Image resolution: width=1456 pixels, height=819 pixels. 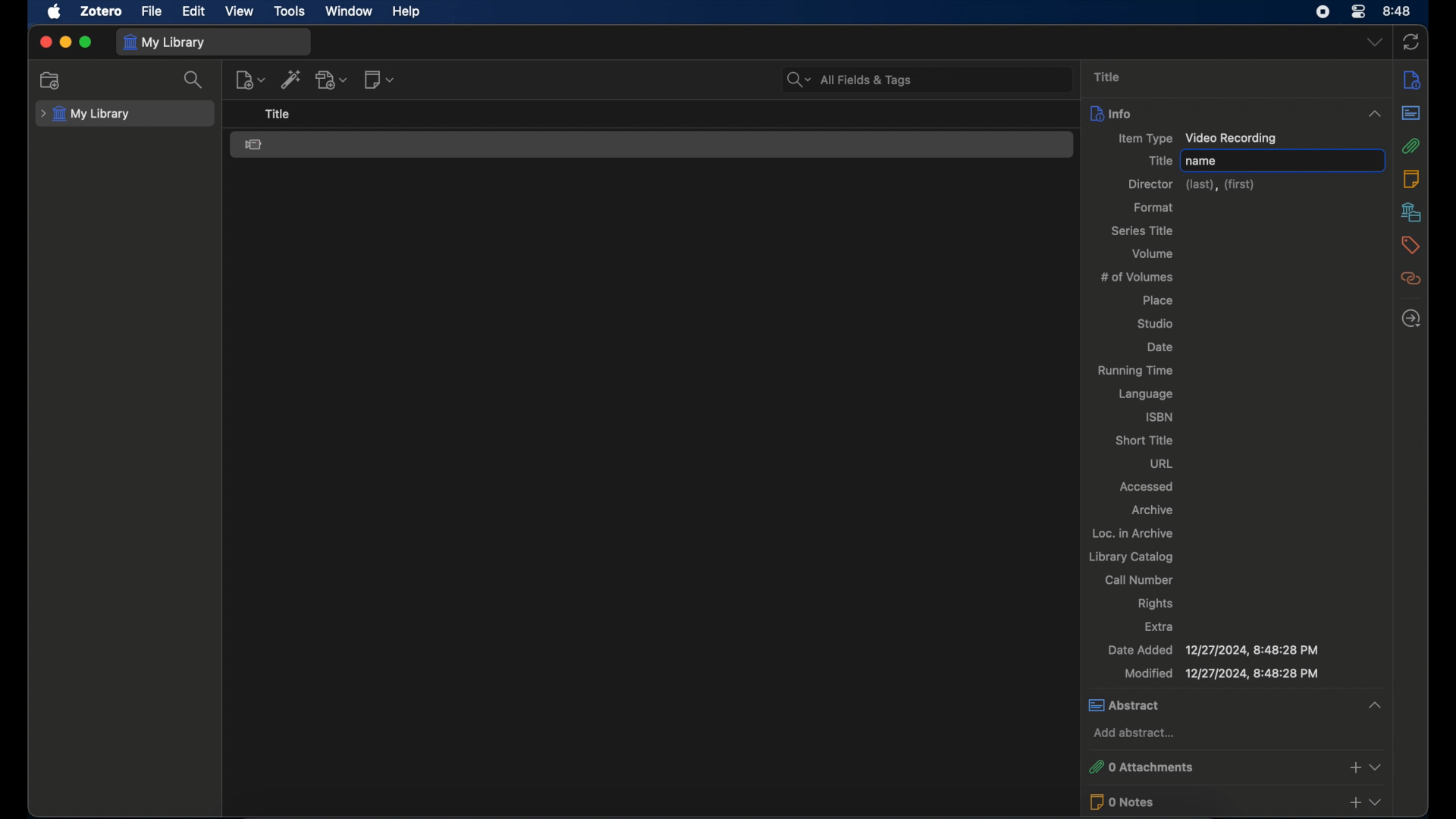 What do you see at coordinates (1376, 803) in the screenshot?
I see `dropdown` at bounding box center [1376, 803].